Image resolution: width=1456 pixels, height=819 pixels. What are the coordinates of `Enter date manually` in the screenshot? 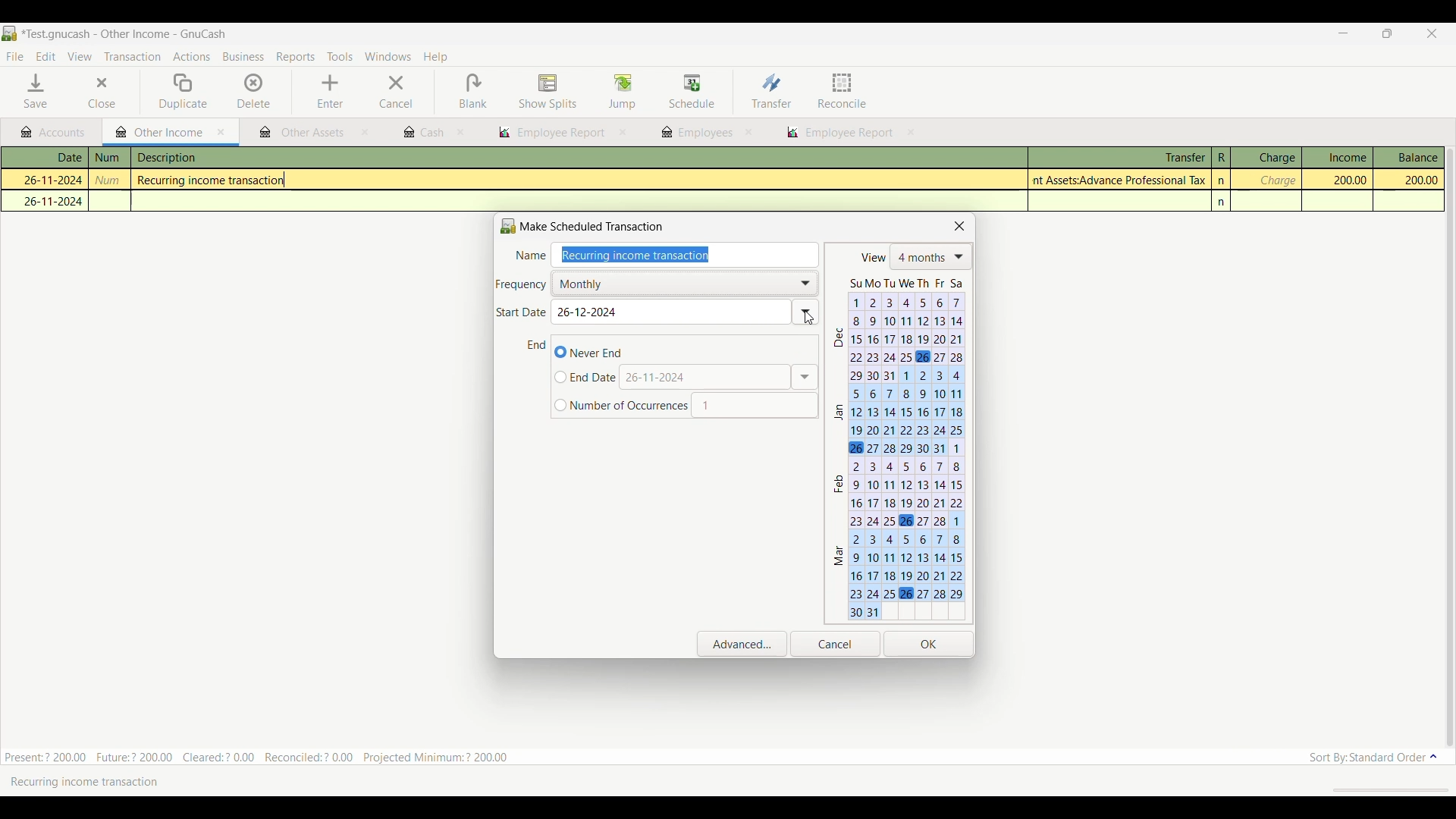 It's located at (706, 377).